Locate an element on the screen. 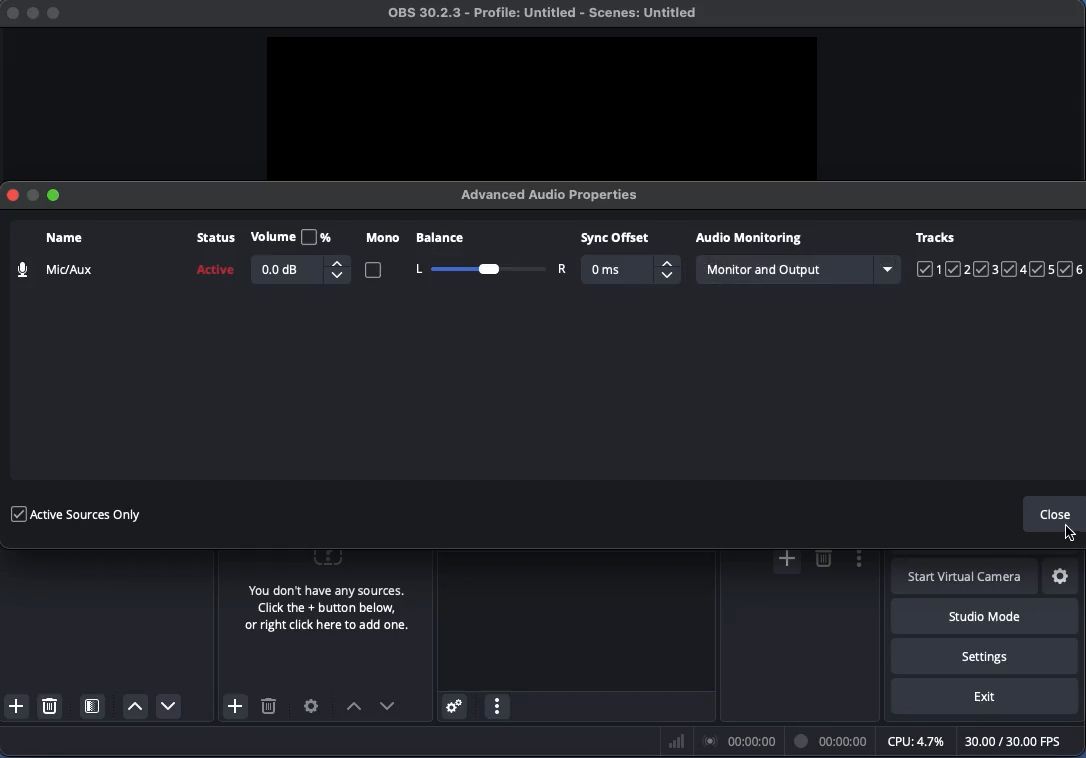  Close is located at coordinates (10, 193).